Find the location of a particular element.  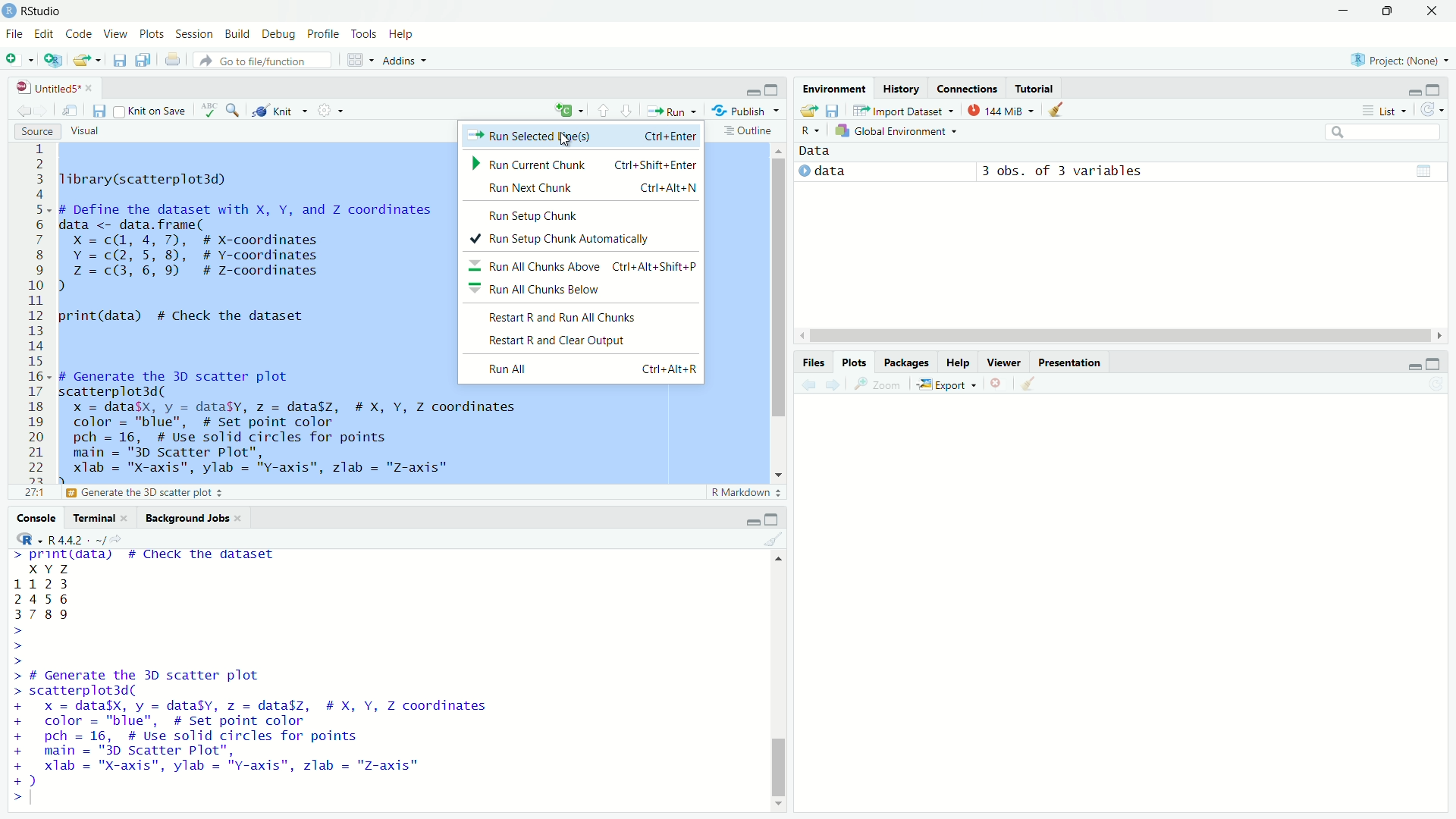

next plot is located at coordinates (832, 385).